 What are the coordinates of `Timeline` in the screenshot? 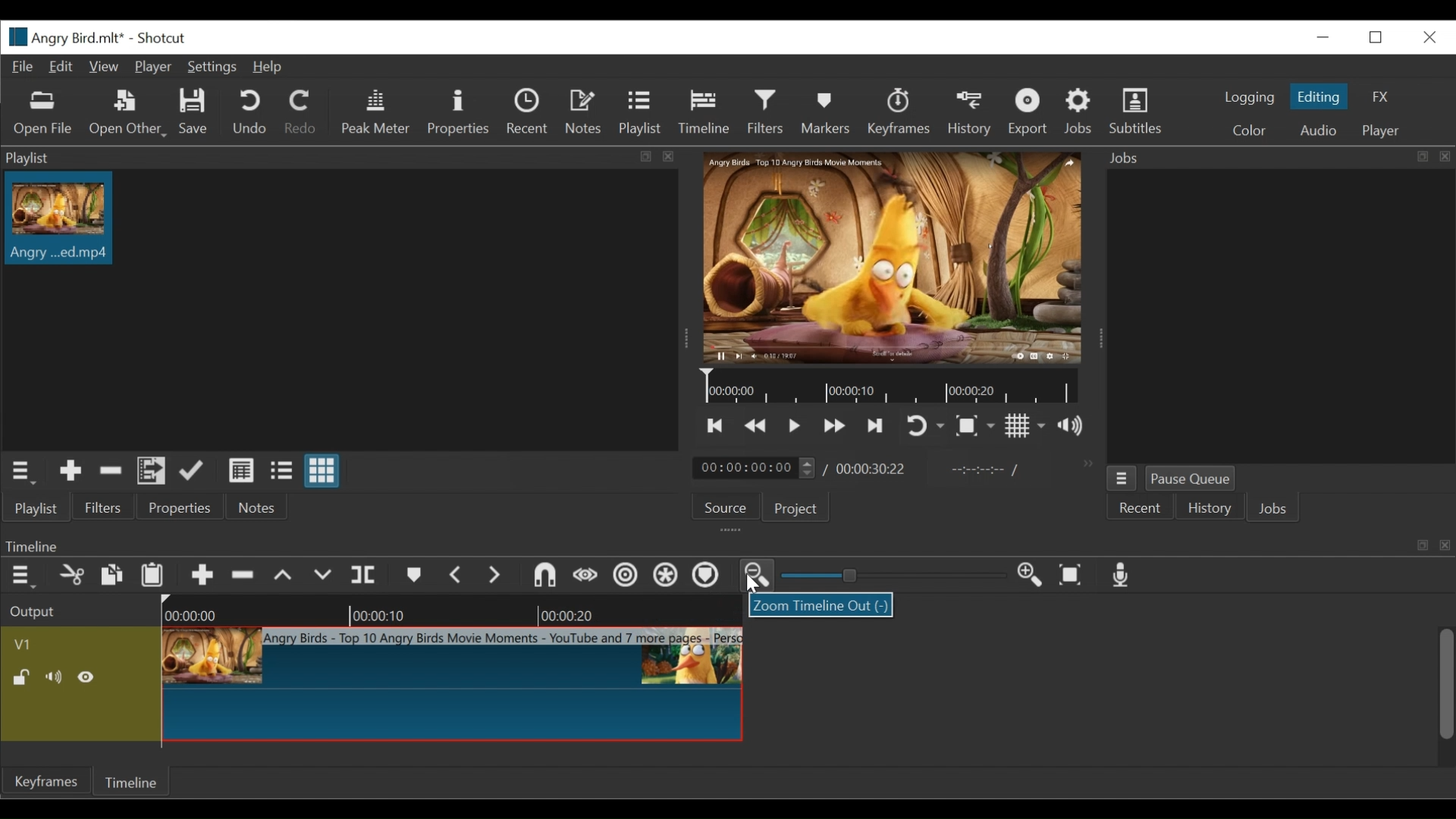 It's located at (129, 781).